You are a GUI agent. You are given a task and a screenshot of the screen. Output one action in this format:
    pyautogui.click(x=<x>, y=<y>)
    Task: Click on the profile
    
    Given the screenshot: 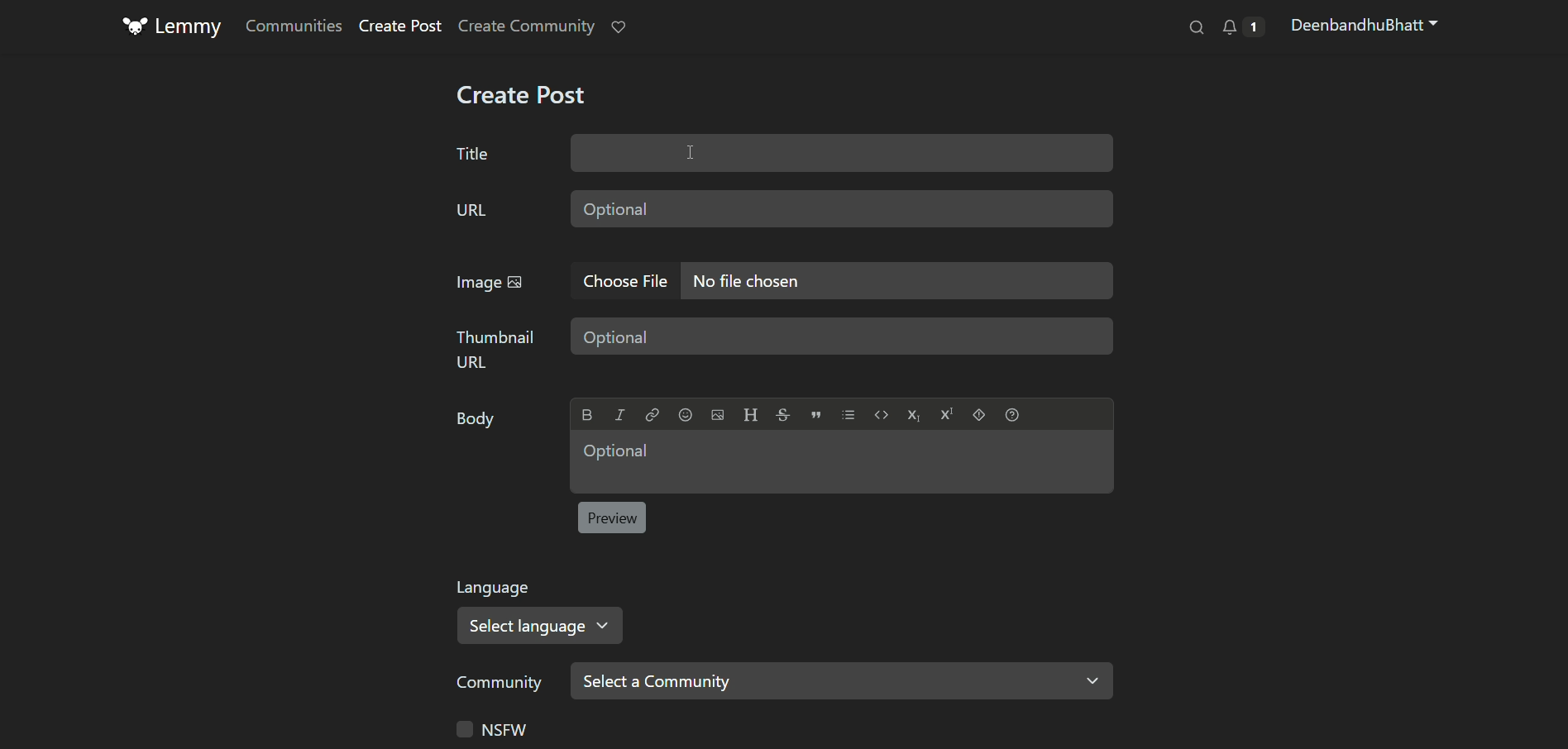 What is the action you would take?
    pyautogui.click(x=1365, y=27)
    